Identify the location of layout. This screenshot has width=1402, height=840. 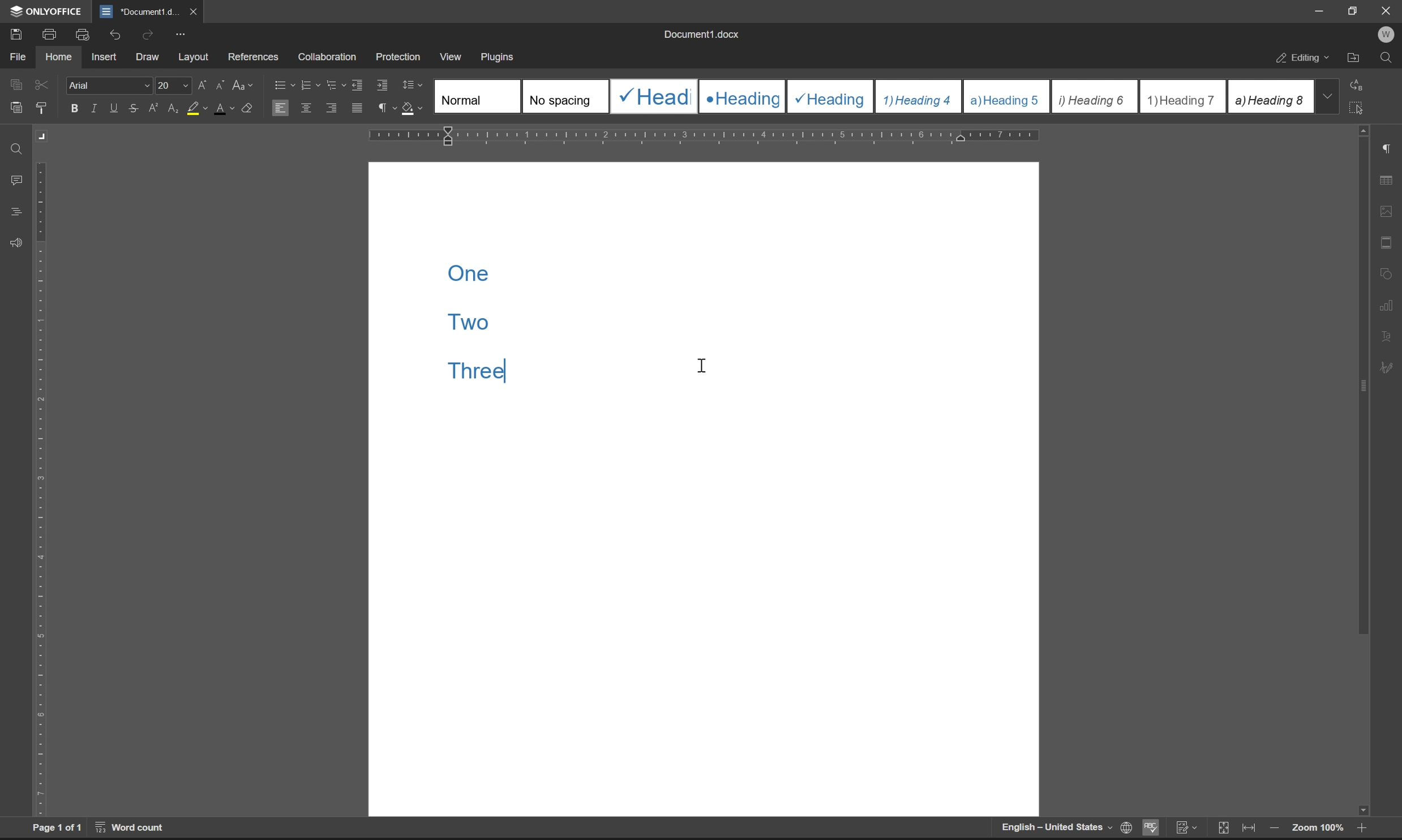
(194, 57).